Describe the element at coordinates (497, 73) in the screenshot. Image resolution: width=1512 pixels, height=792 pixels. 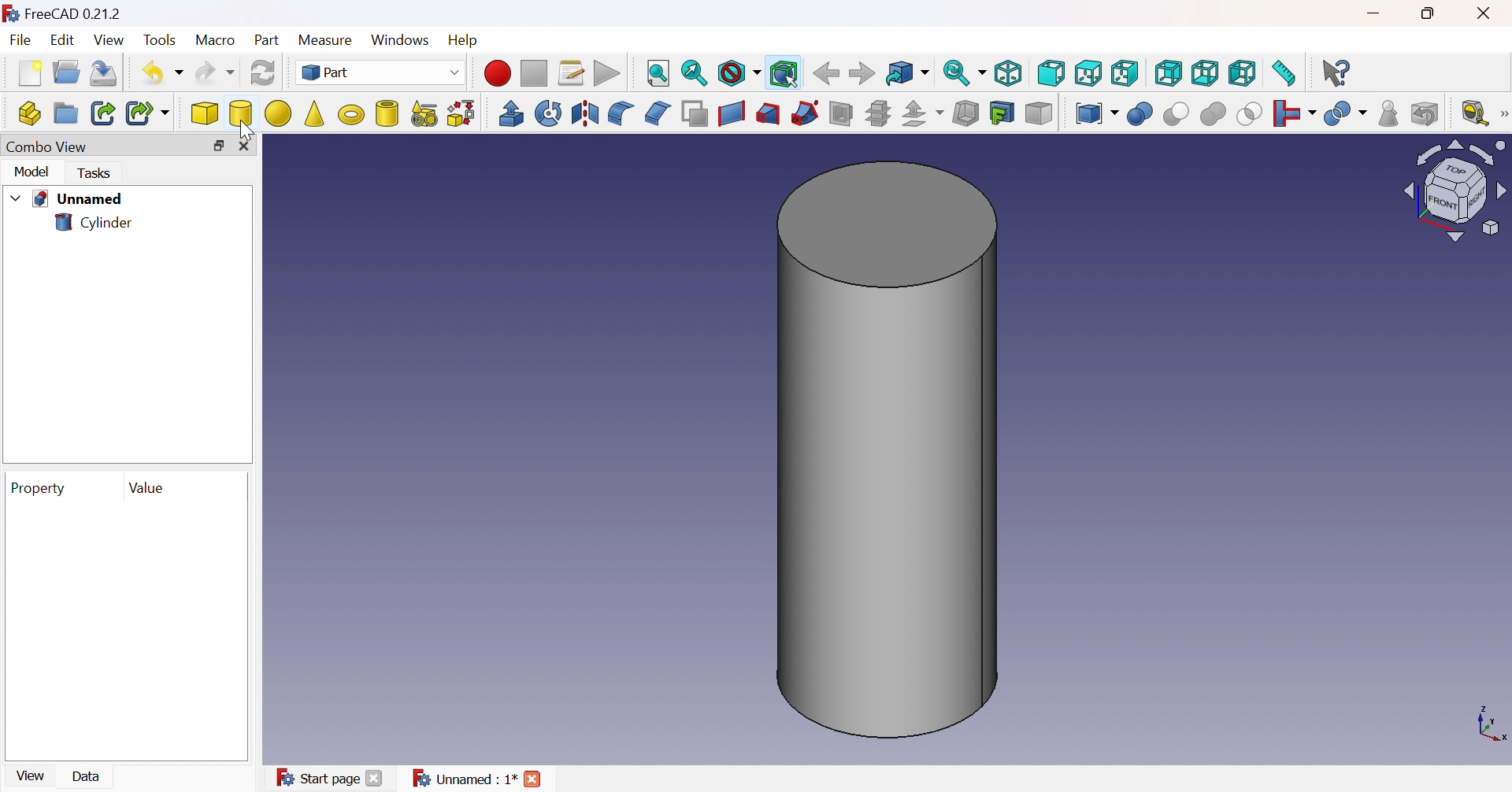
I see `Macro recording` at that location.